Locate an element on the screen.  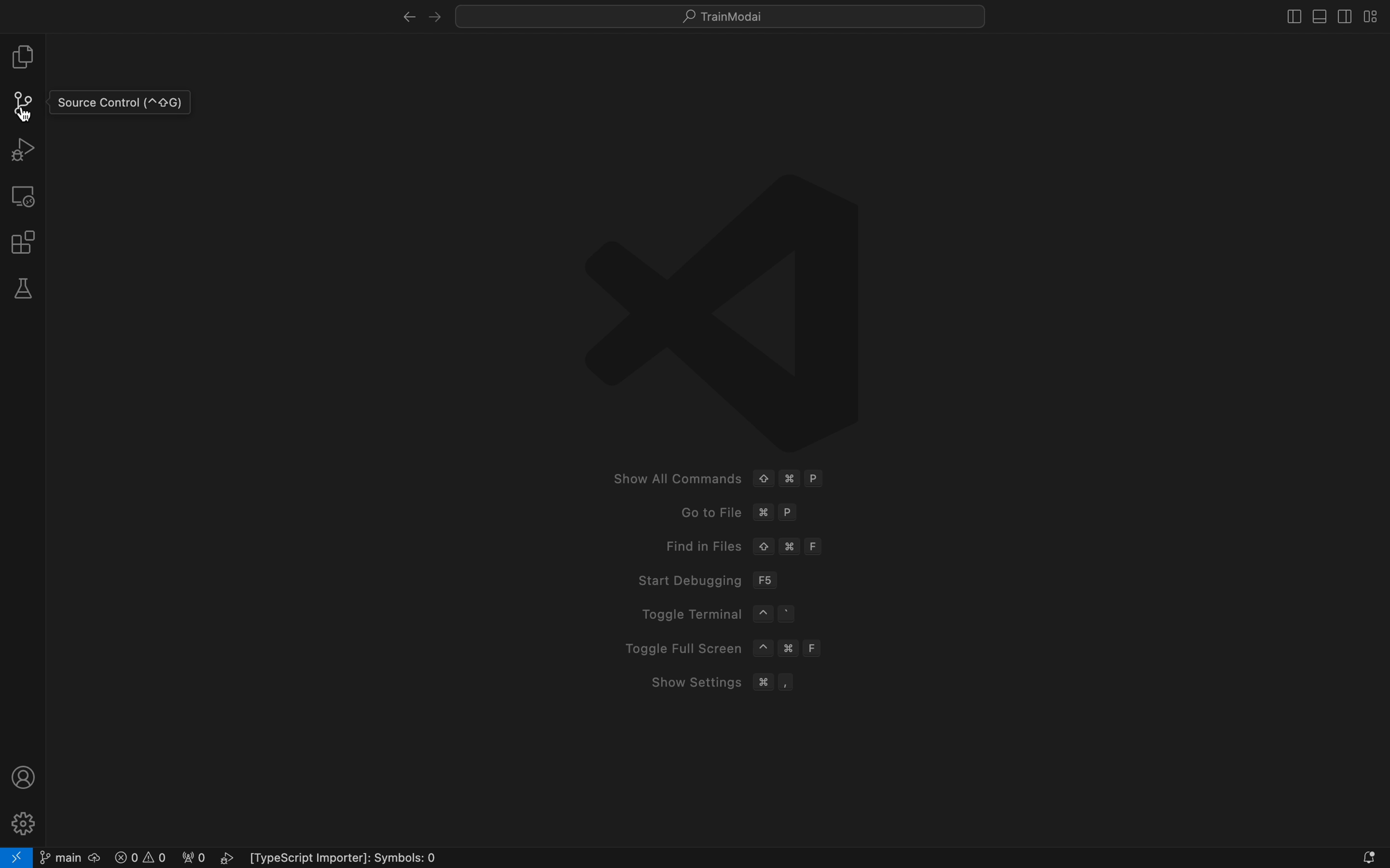
Notifications  is located at coordinates (1364, 857).